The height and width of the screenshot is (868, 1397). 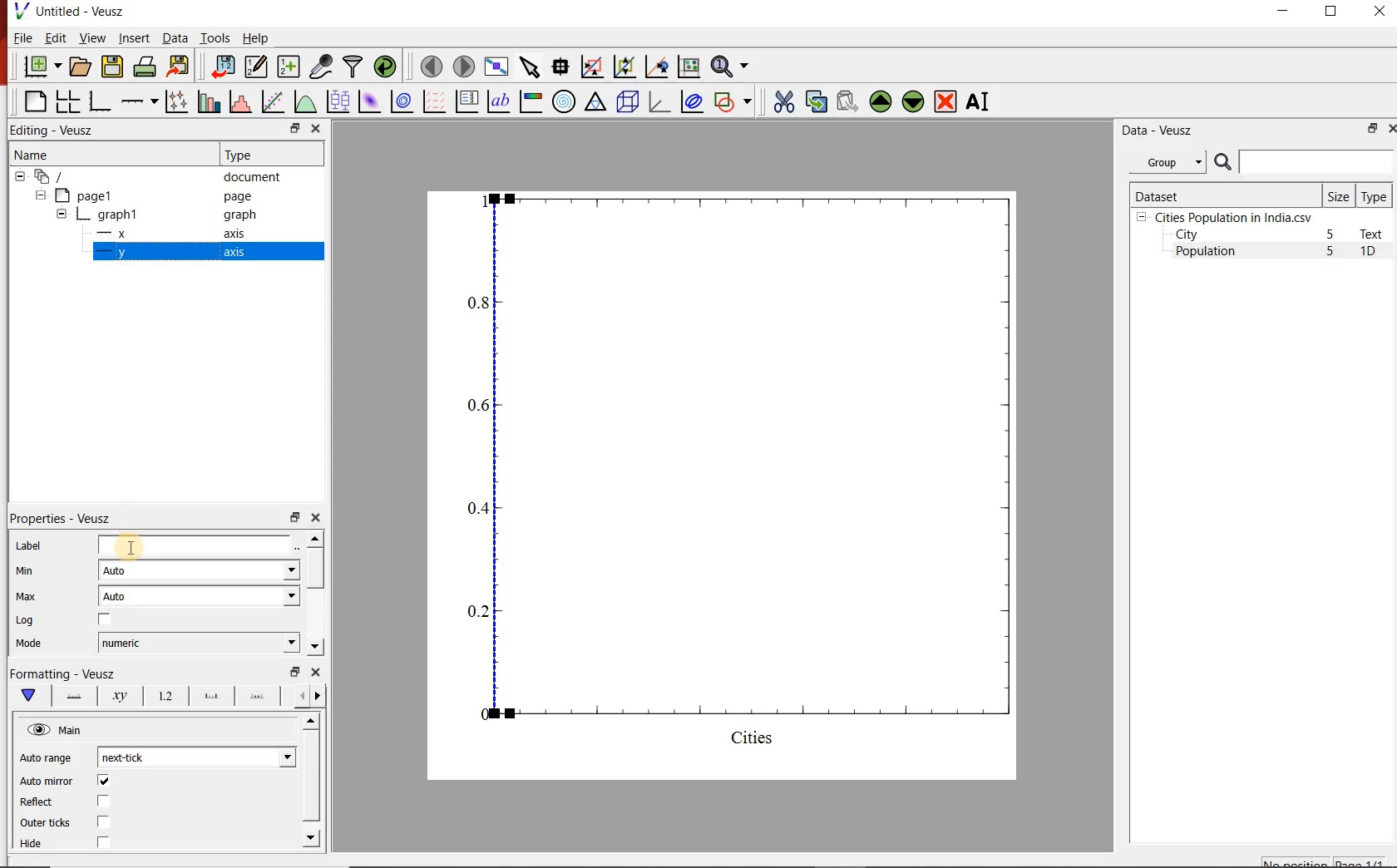 I want to click on Insert, so click(x=133, y=39).